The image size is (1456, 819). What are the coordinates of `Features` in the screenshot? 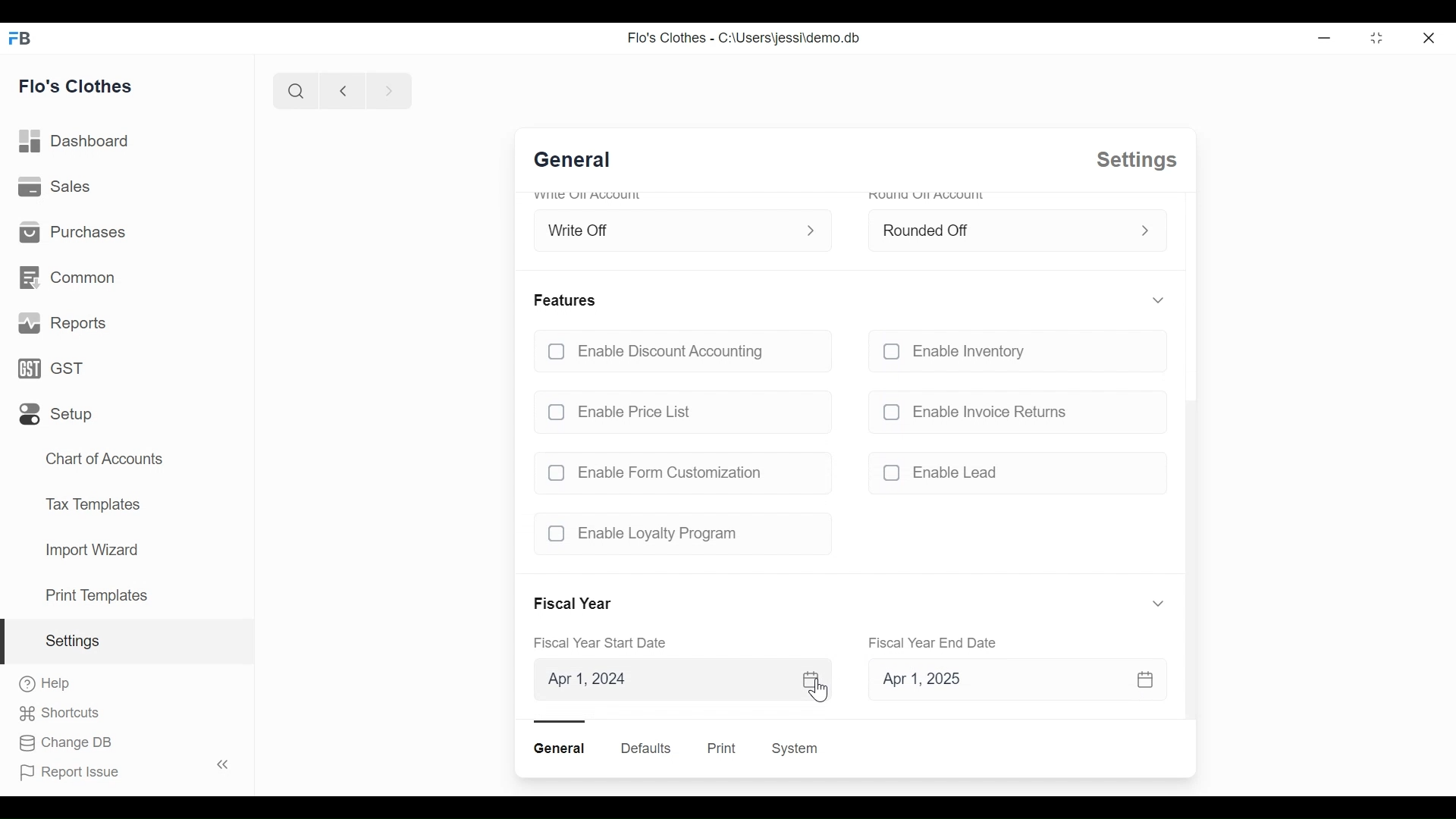 It's located at (567, 300).